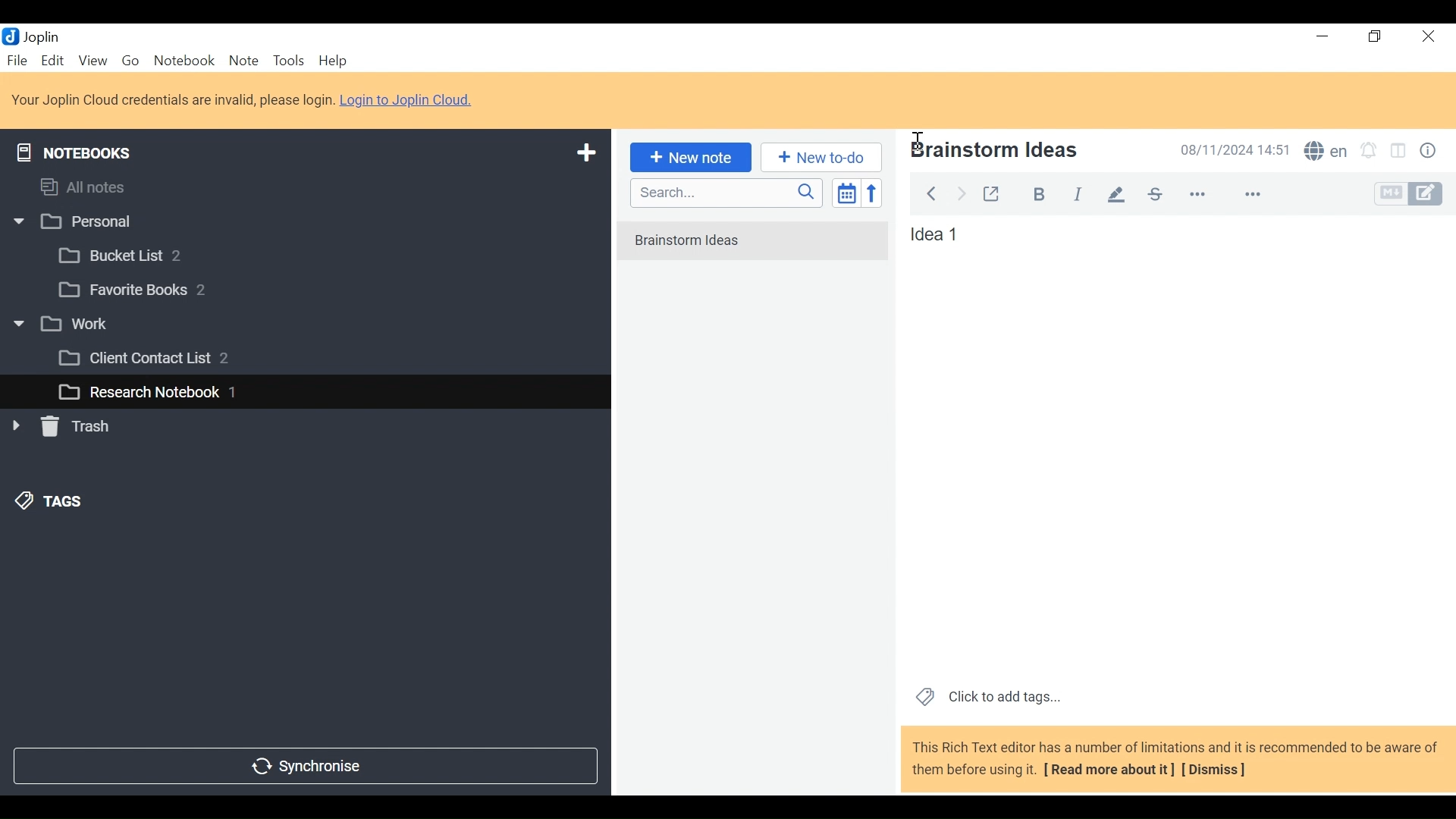  Describe the element at coordinates (1260, 196) in the screenshot. I see `feature options` at that location.